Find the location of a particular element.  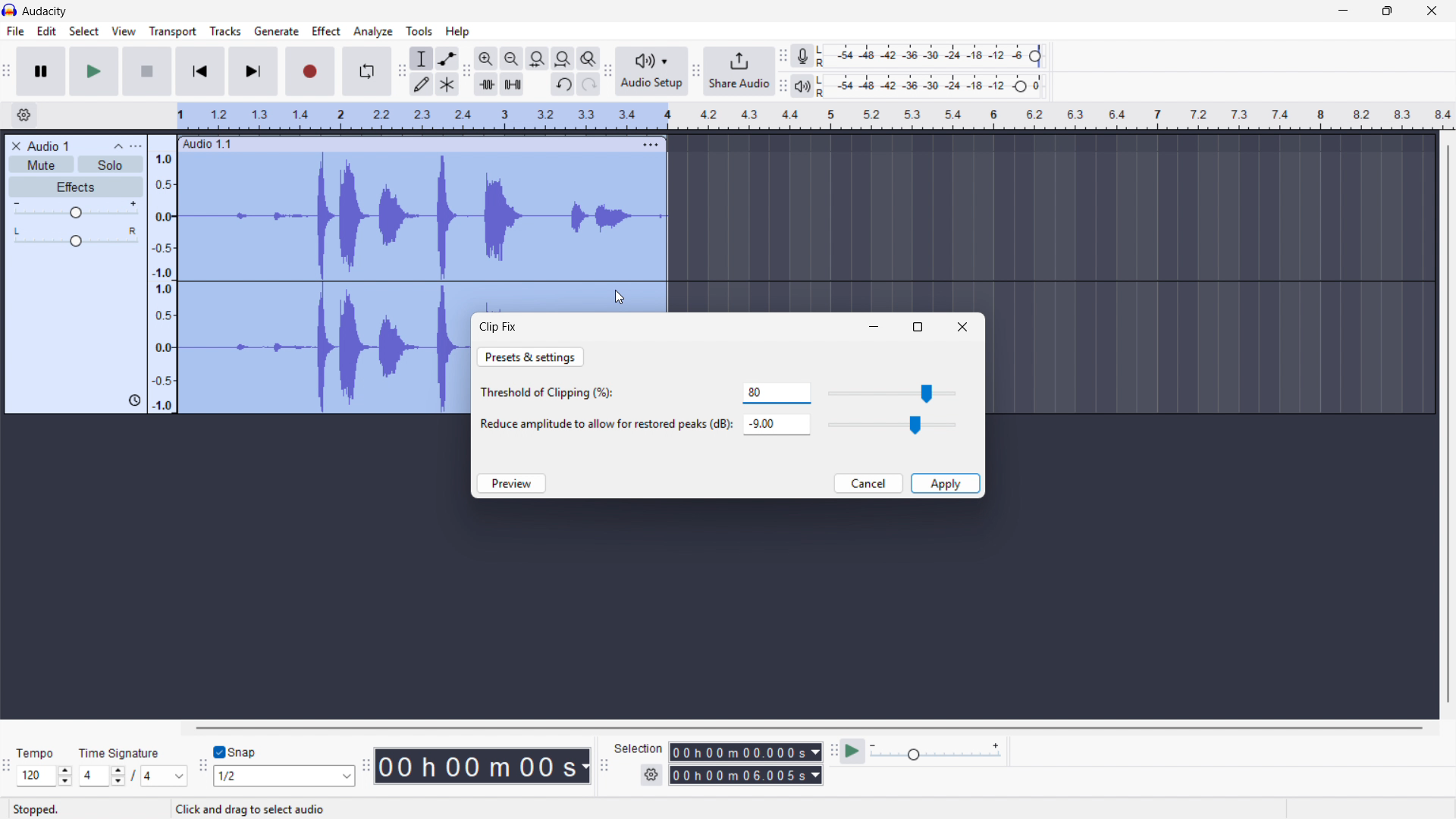

Play  is located at coordinates (93, 71).